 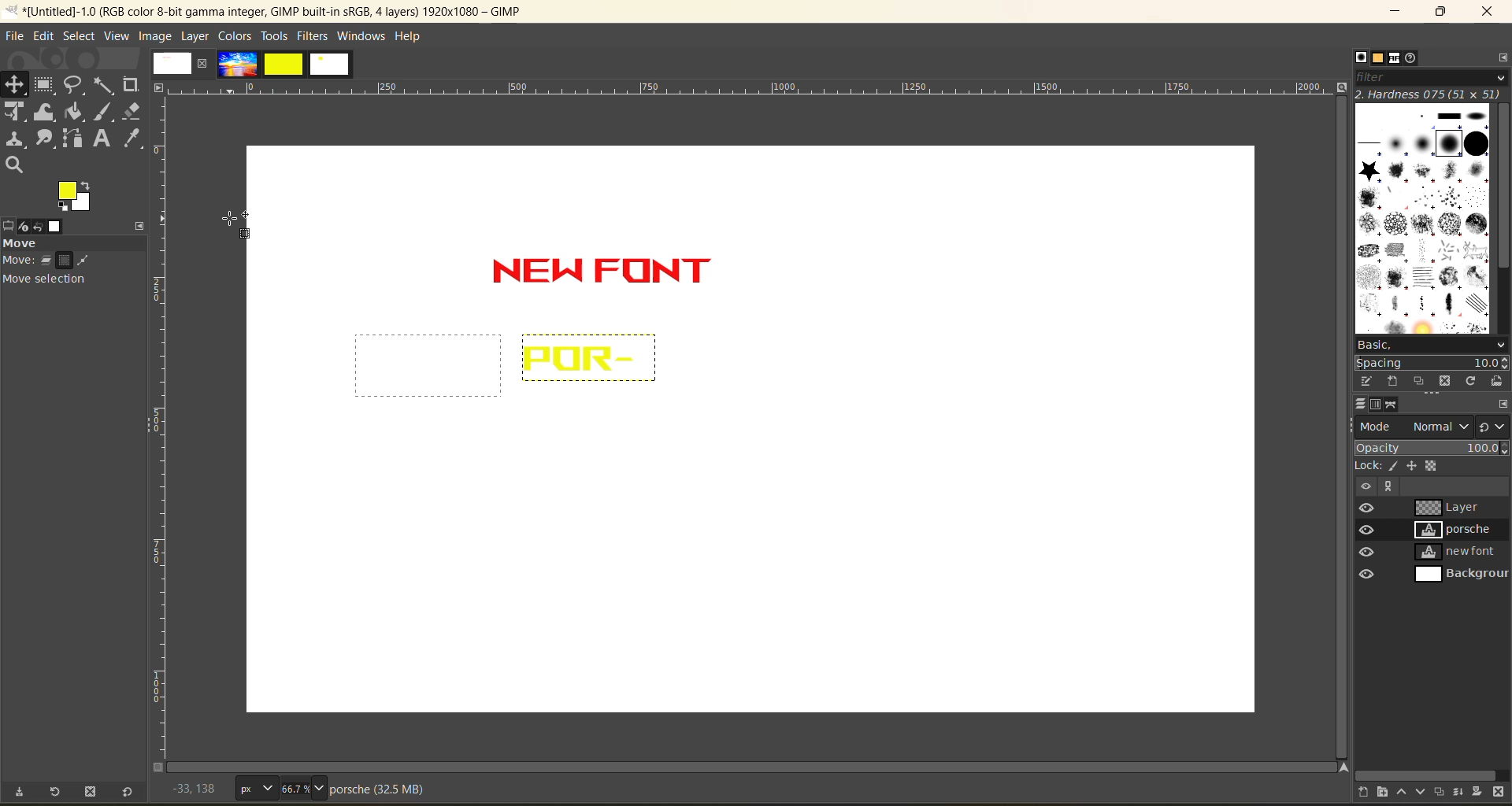 What do you see at coordinates (237, 230) in the screenshot?
I see `cursor` at bounding box center [237, 230].